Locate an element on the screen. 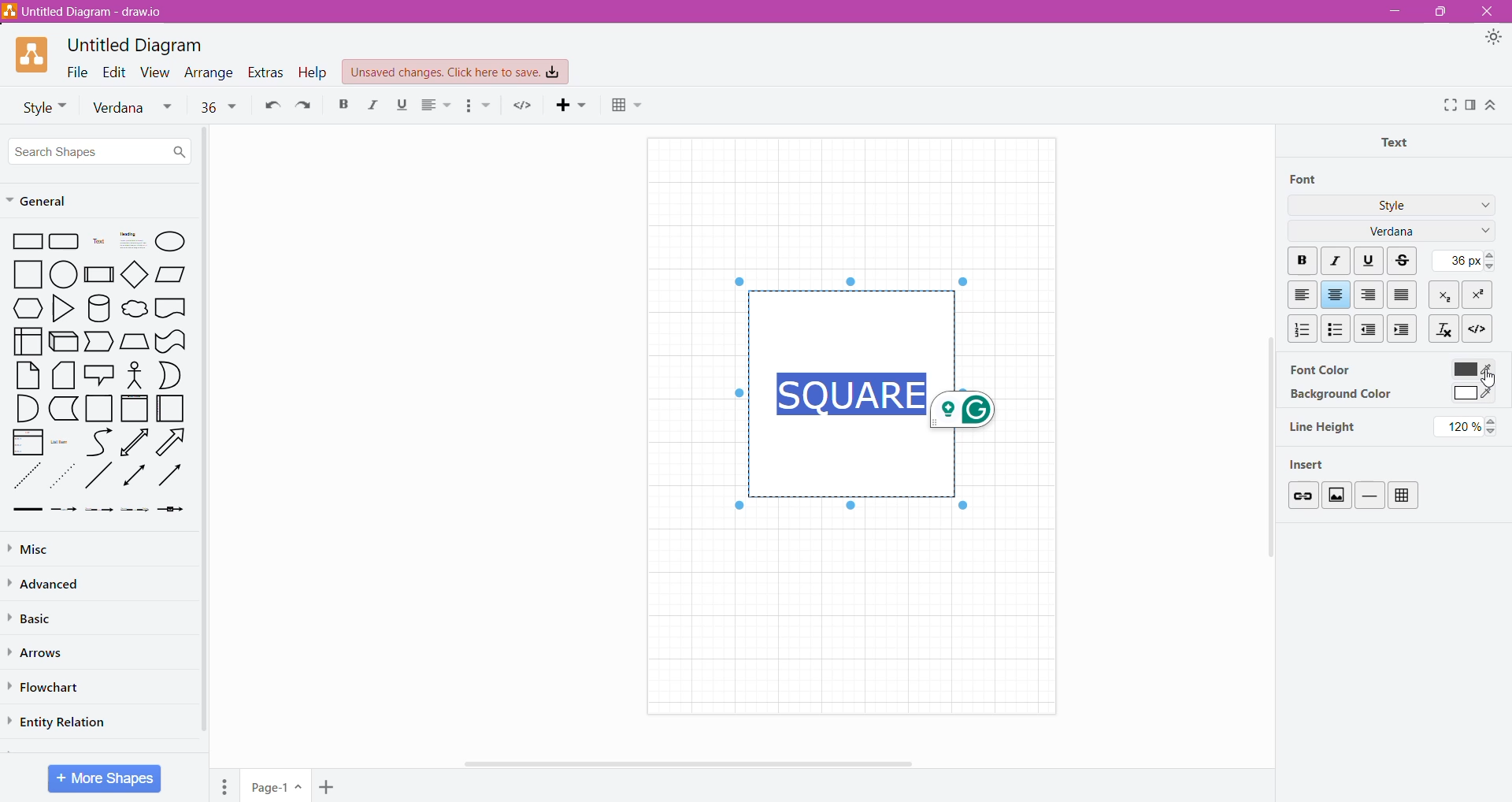 The image size is (1512, 802). More Shapes is located at coordinates (106, 778).